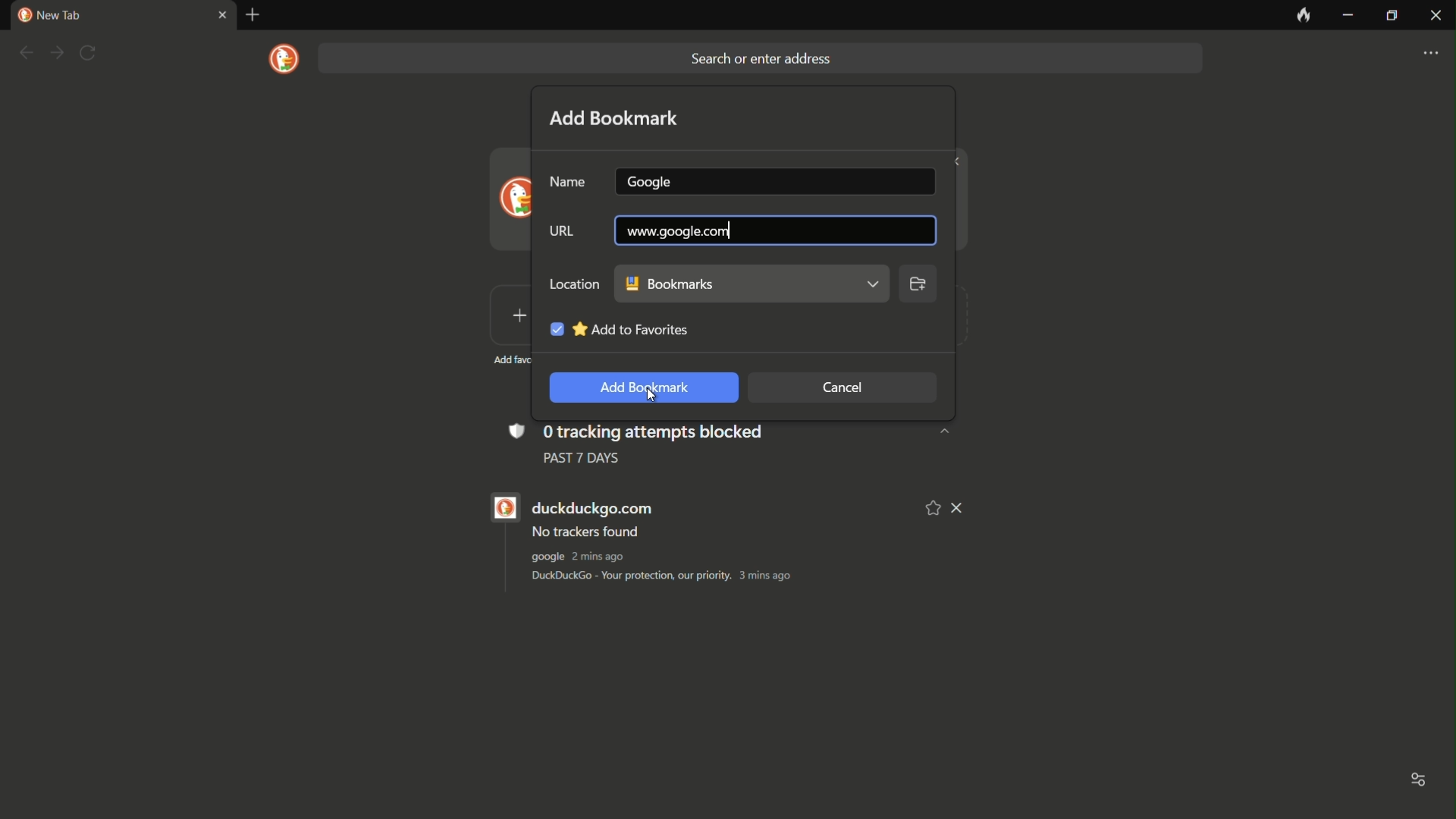 Image resolution: width=1456 pixels, height=819 pixels. What do you see at coordinates (573, 283) in the screenshot?
I see `LOCATION` at bounding box center [573, 283].